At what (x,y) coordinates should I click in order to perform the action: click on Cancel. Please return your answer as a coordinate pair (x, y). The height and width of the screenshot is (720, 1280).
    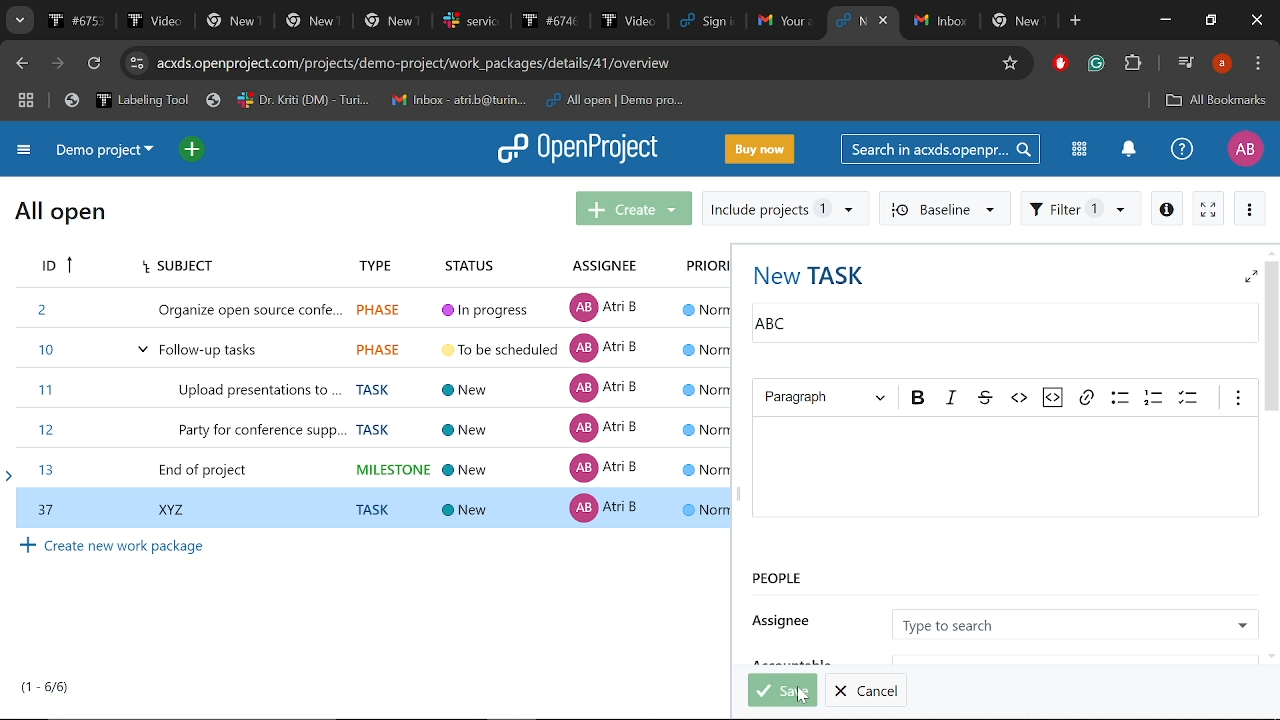
    Looking at the image, I should click on (866, 690).